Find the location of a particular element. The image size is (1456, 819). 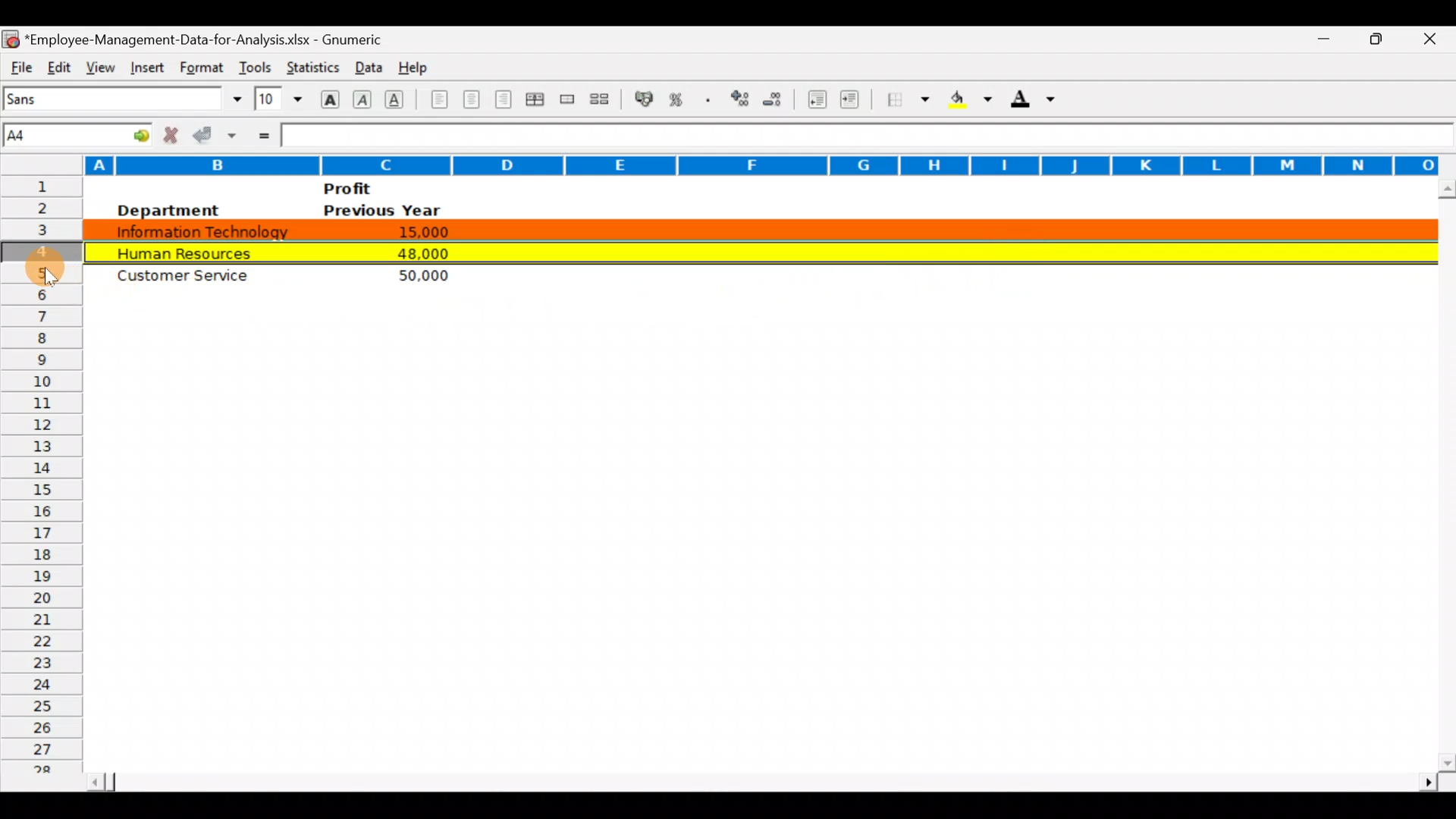

View is located at coordinates (97, 65).